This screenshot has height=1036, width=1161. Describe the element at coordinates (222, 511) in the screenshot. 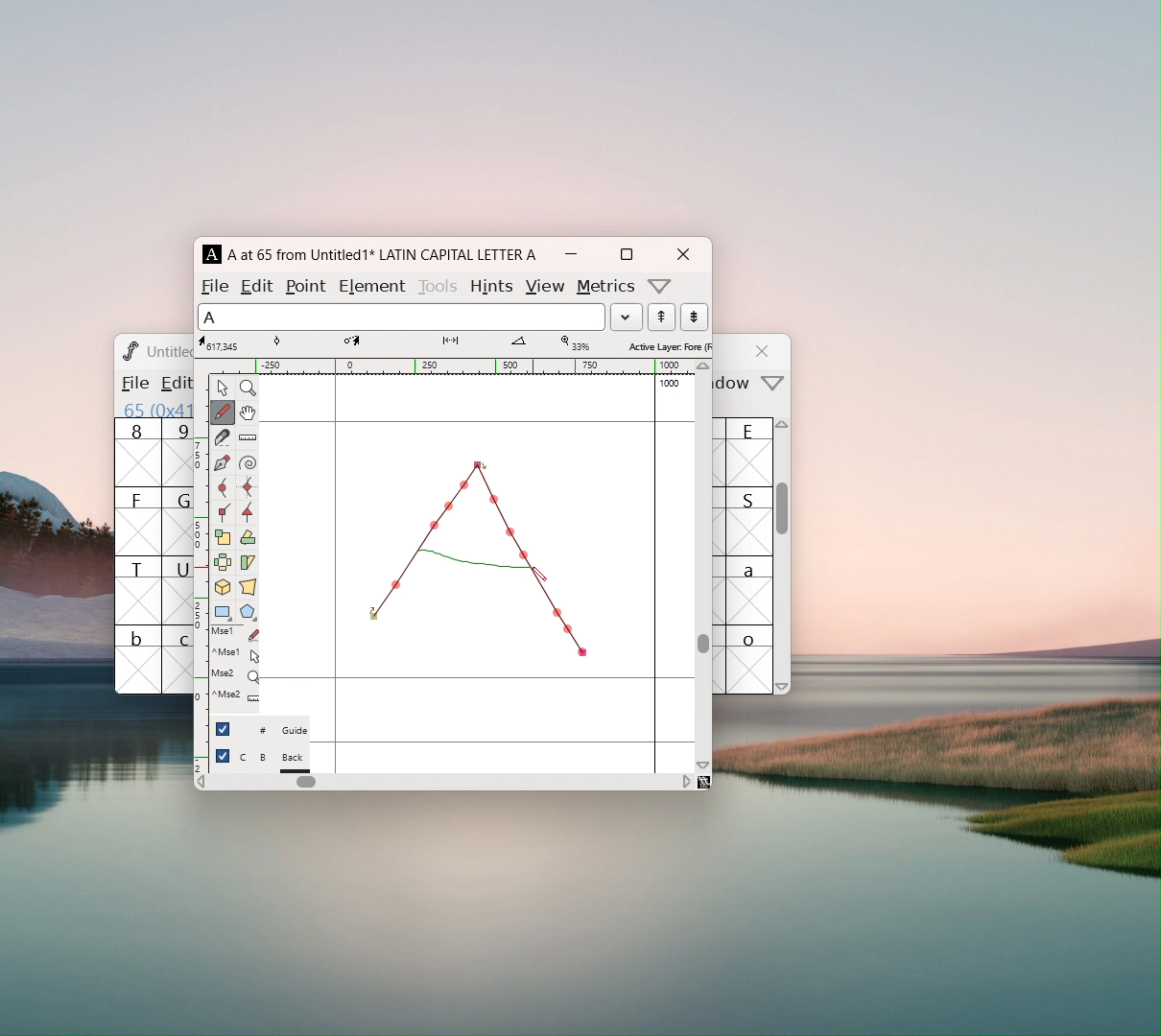

I see `add a corner point` at that location.